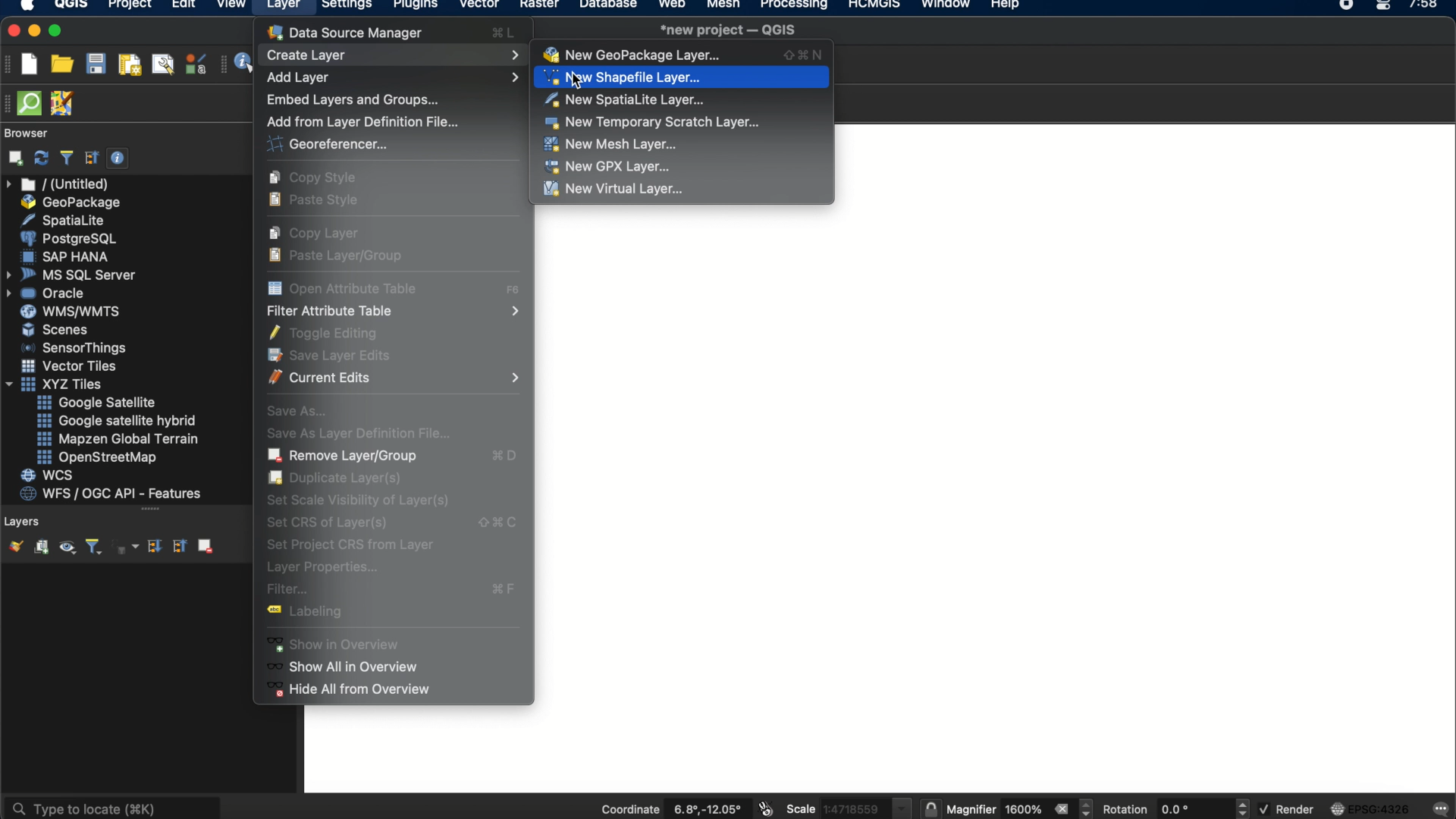  I want to click on new temporary scratch layer, so click(654, 122).